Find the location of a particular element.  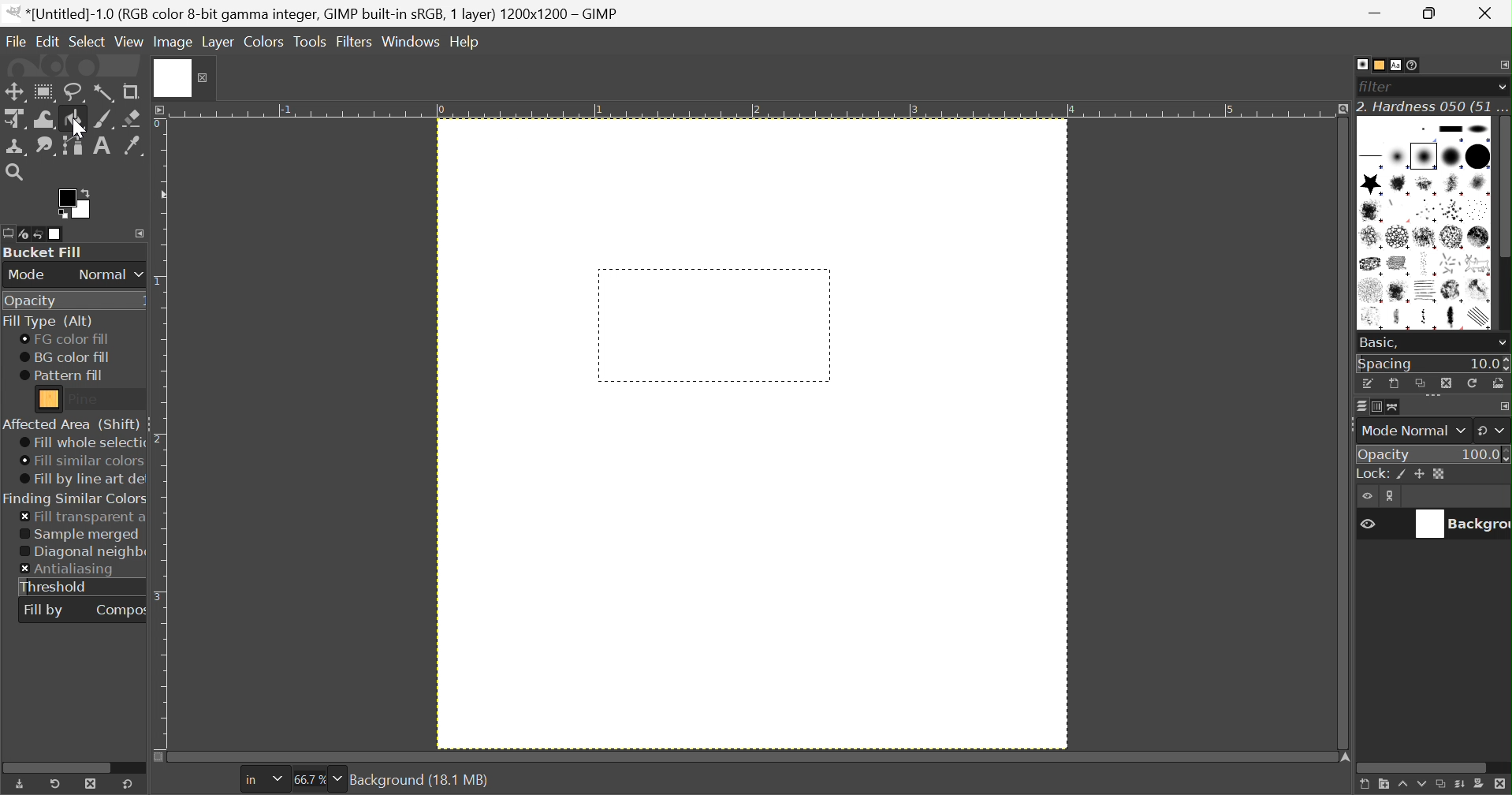

Acrylic 02 is located at coordinates (1425, 185).